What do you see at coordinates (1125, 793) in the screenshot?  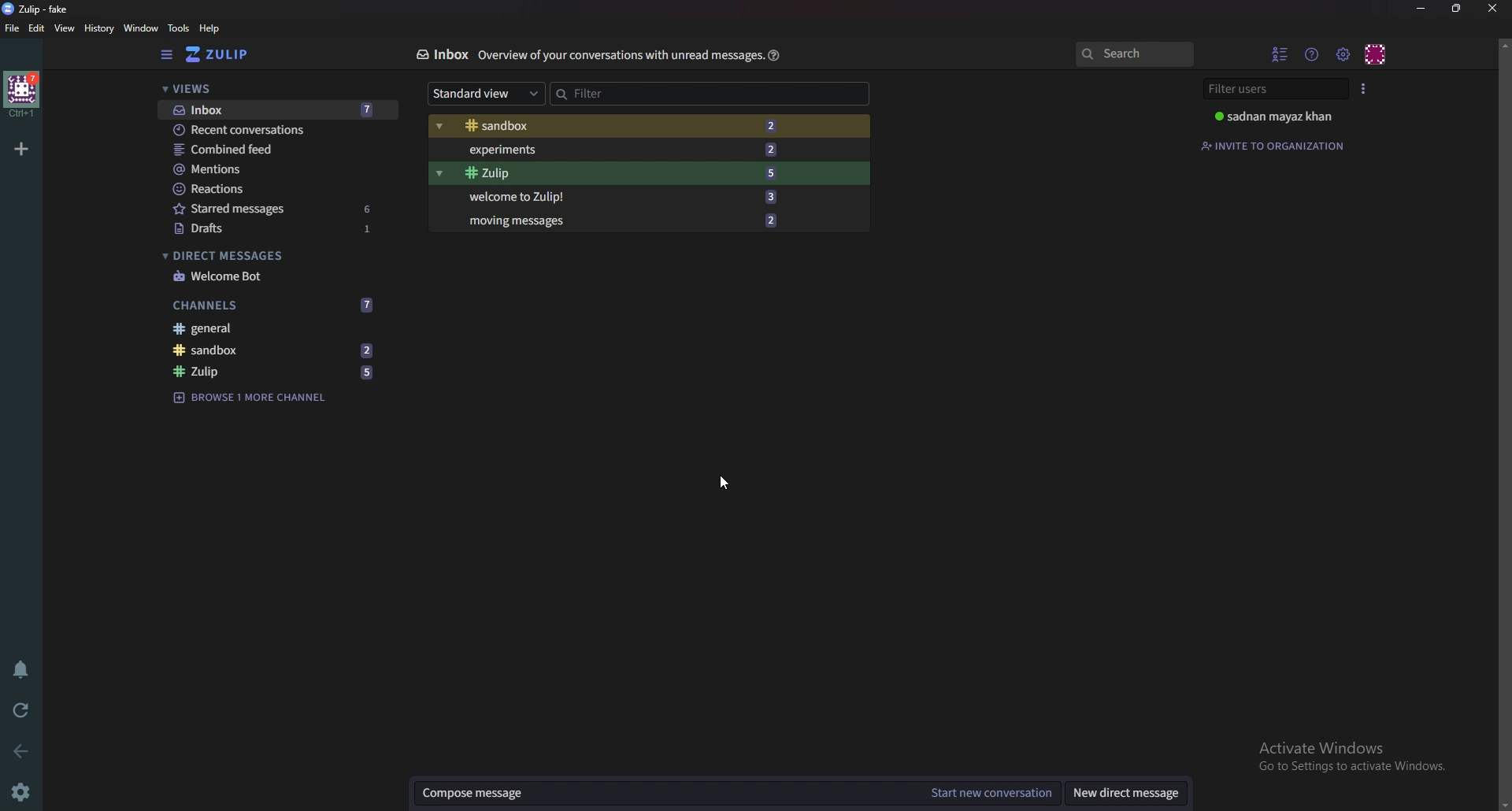 I see `Need direct message` at bounding box center [1125, 793].